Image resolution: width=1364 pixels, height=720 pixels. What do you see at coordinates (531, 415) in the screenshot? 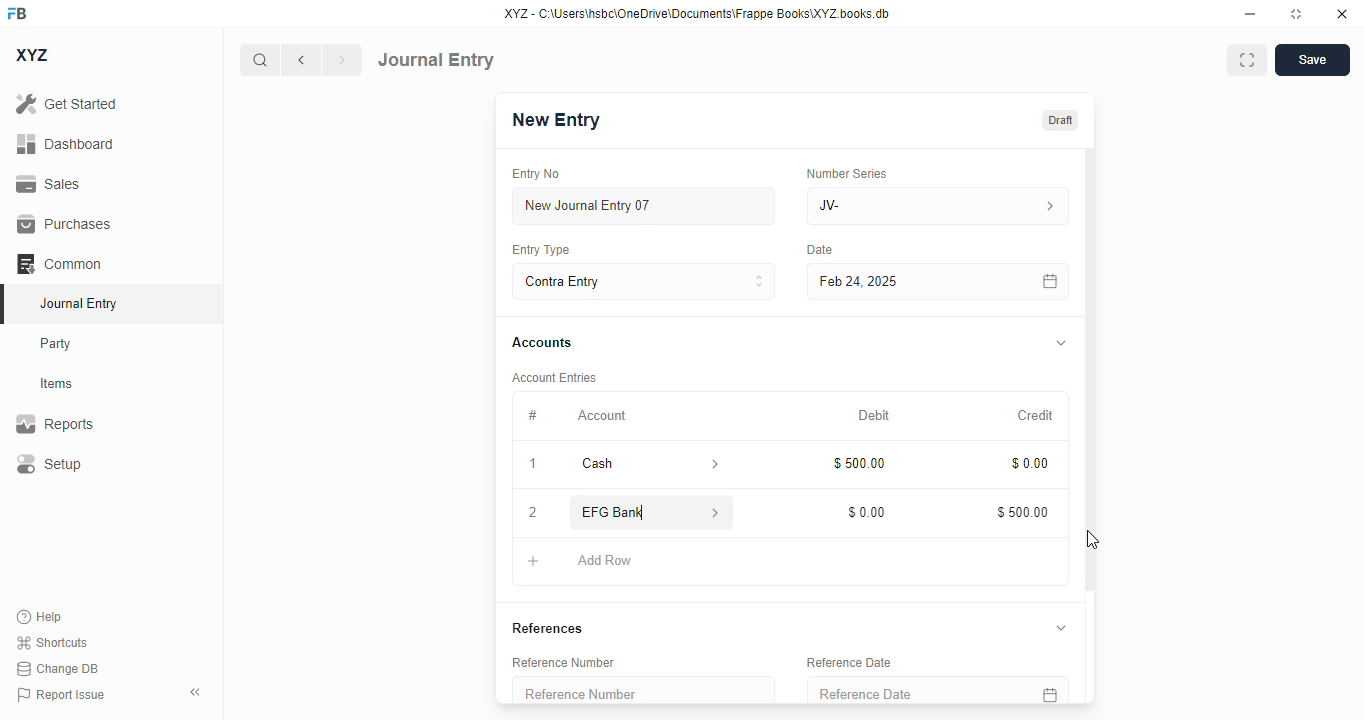
I see `#` at bounding box center [531, 415].